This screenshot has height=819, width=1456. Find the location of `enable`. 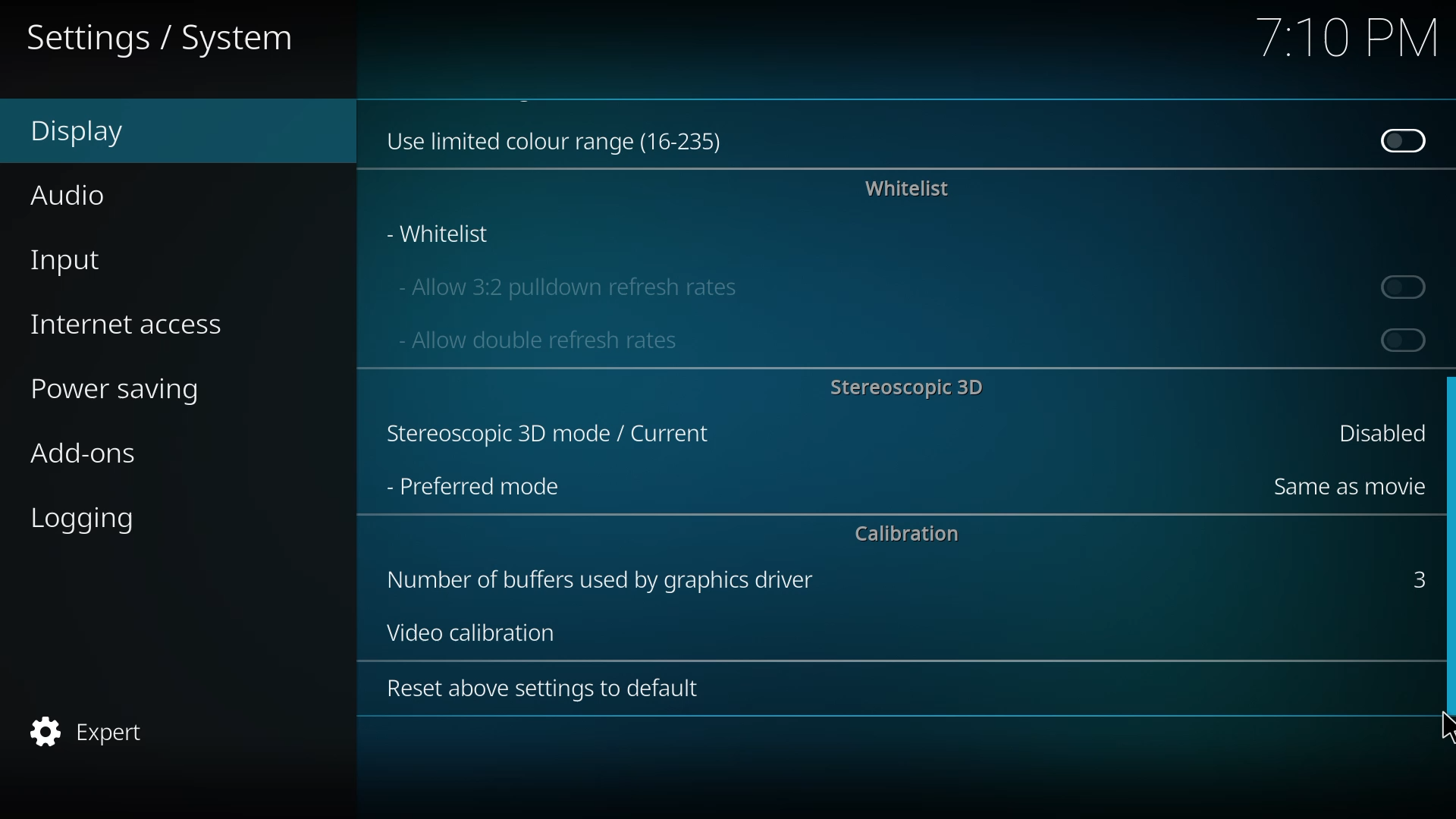

enable is located at coordinates (1406, 286).